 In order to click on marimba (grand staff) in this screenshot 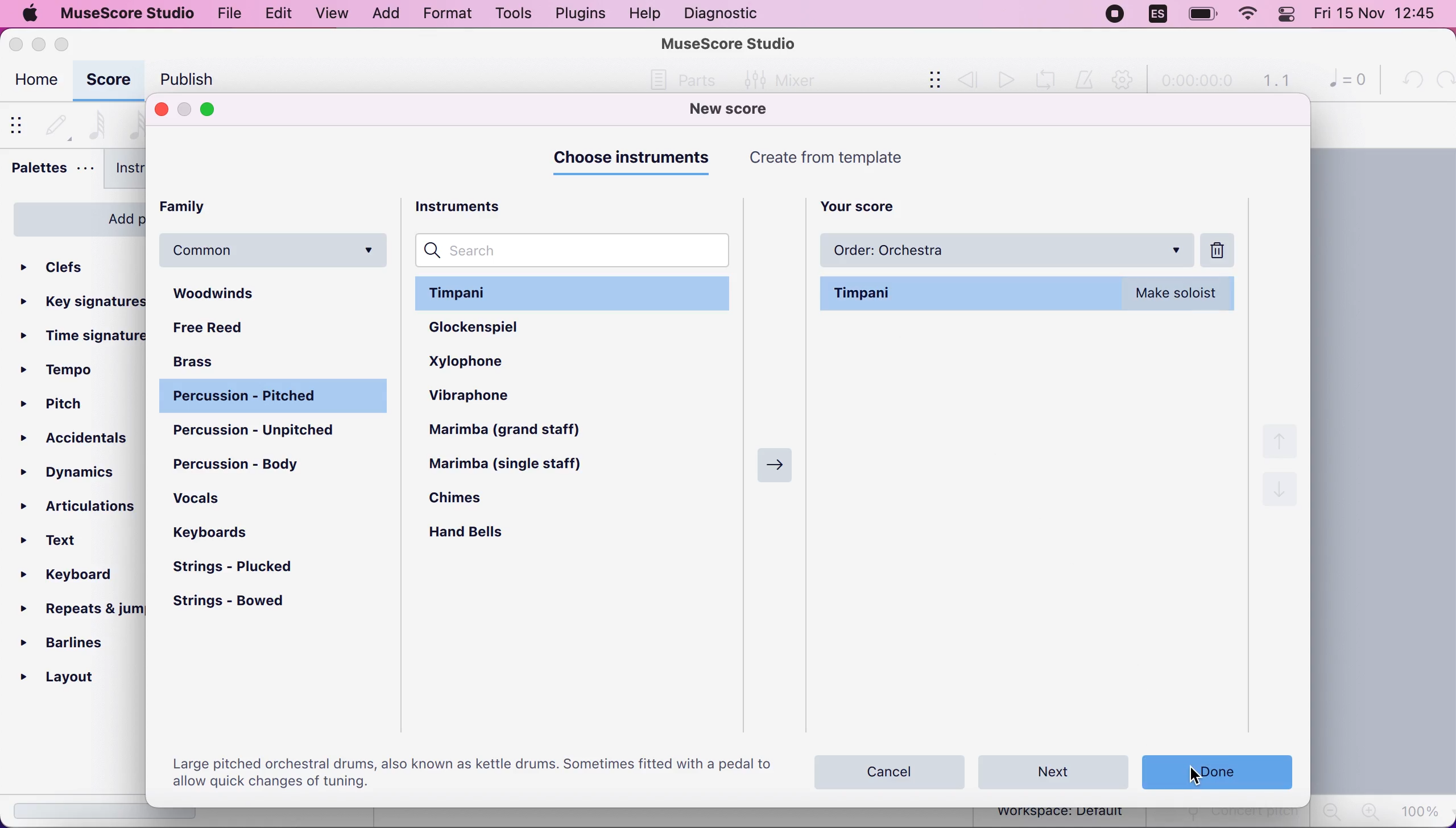, I will do `click(520, 431)`.